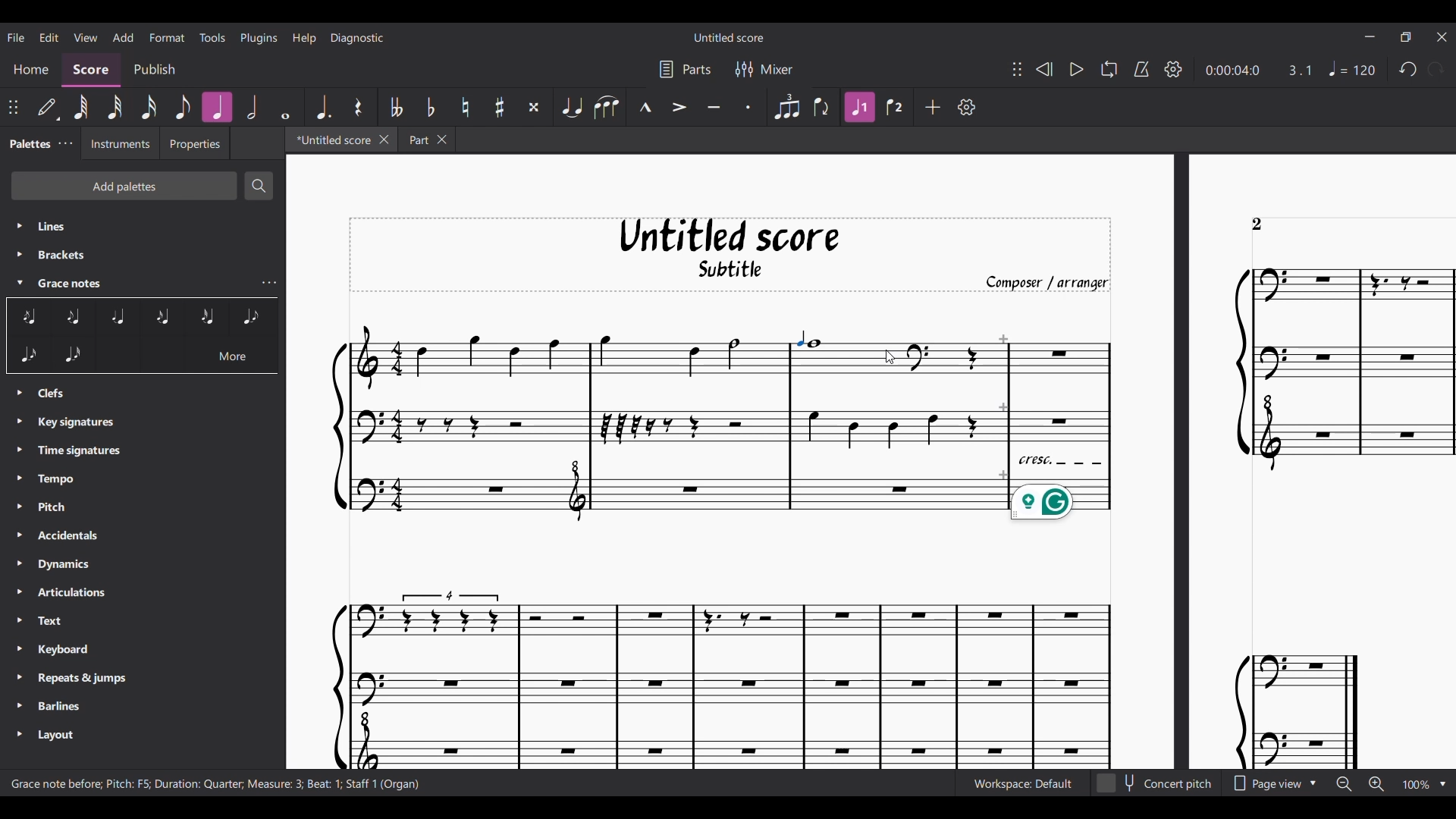  Describe the element at coordinates (733, 664) in the screenshot. I see `Current score` at that location.